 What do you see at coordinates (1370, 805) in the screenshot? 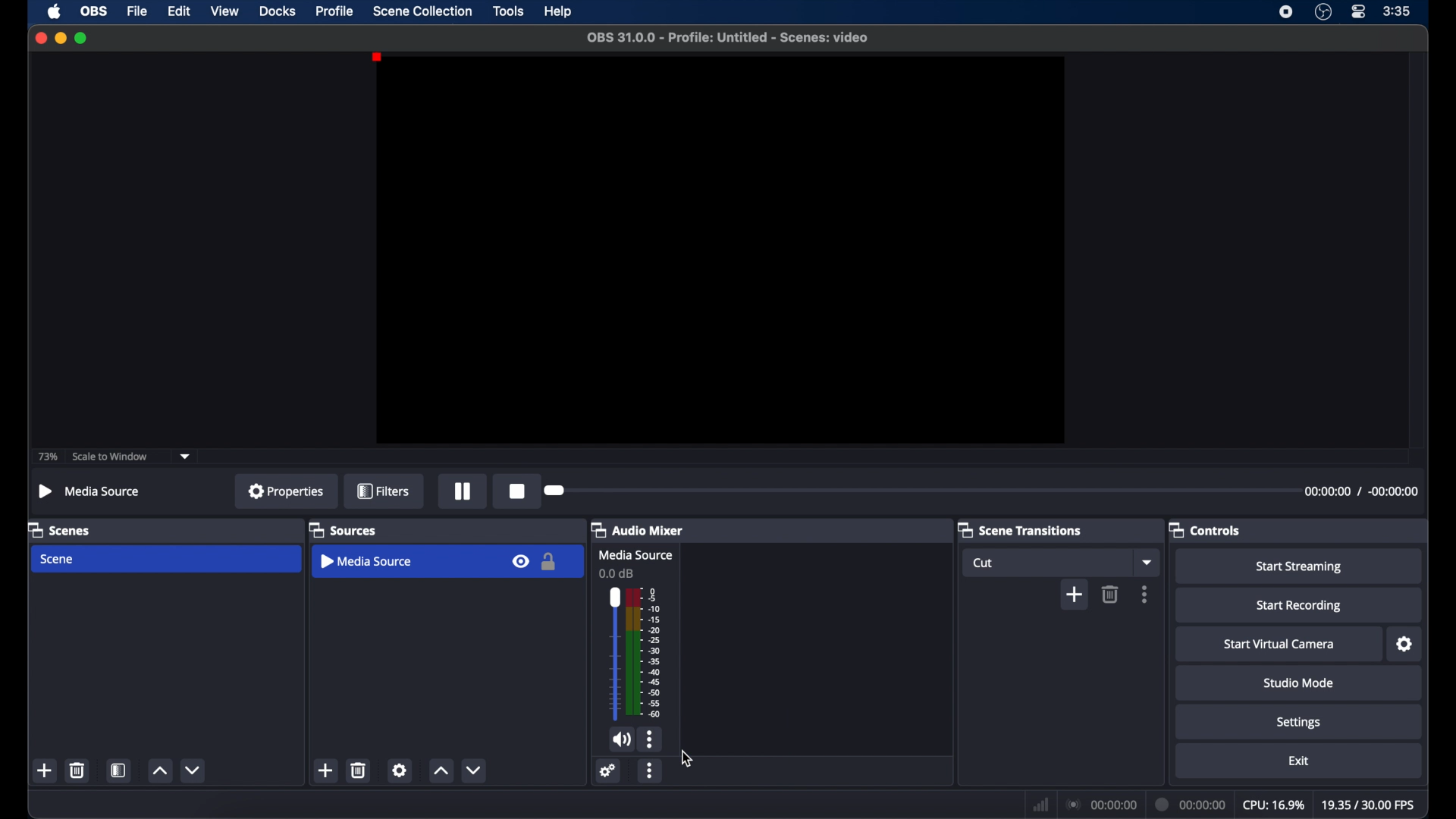
I see `fps` at bounding box center [1370, 805].